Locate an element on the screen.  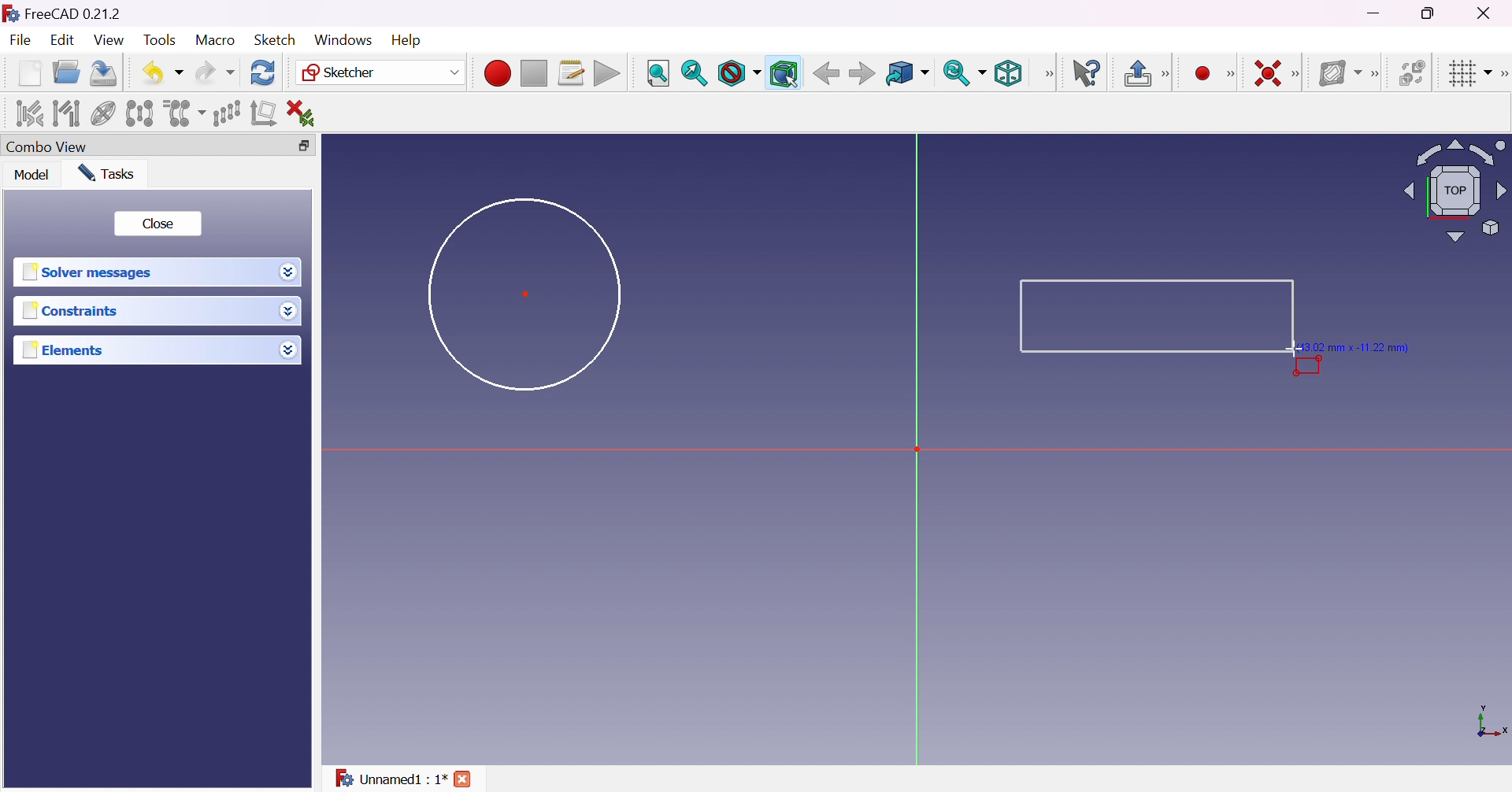
Help is located at coordinates (408, 40).